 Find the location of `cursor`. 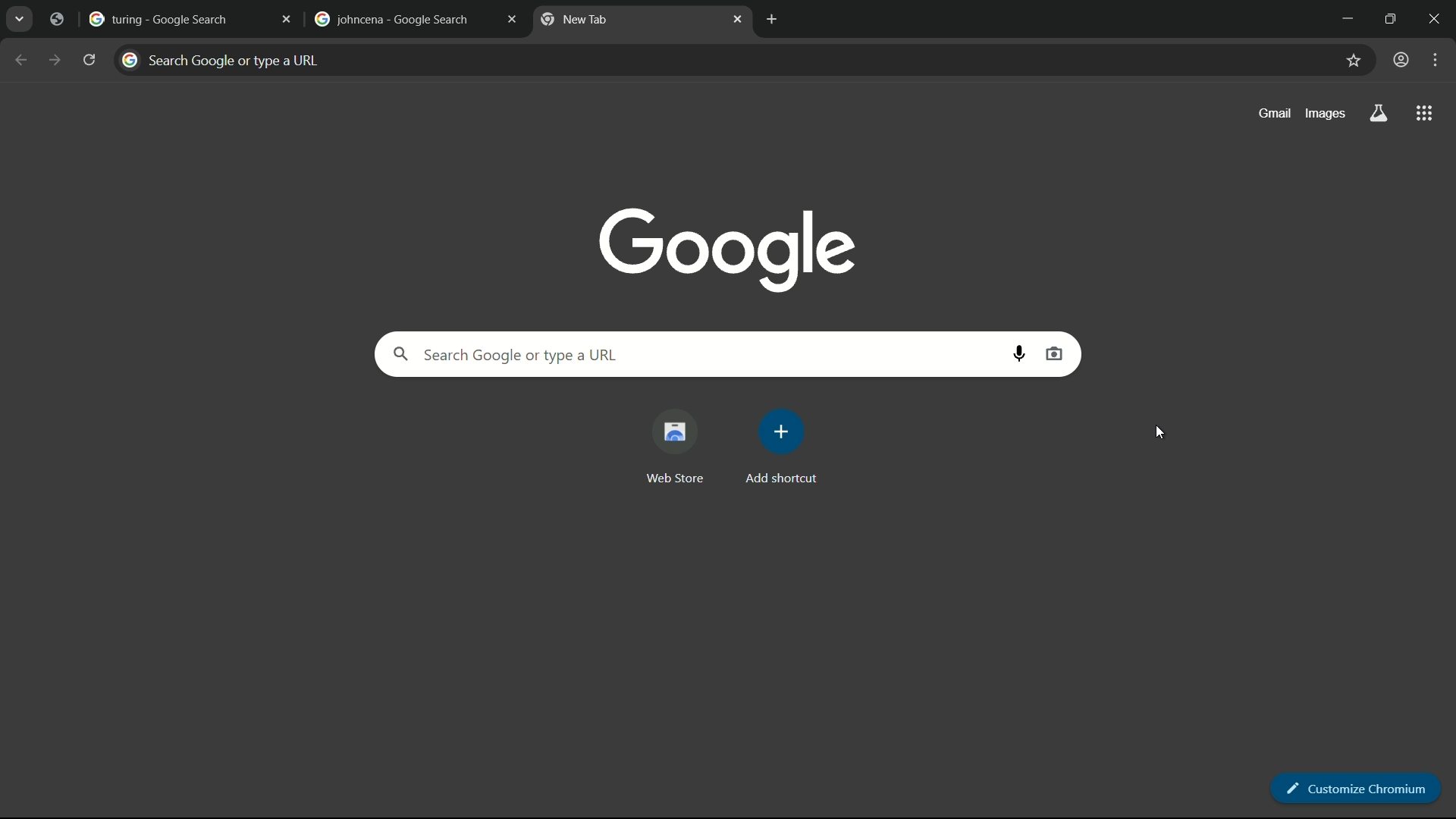

cursor is located at coordinates (1160, 432).